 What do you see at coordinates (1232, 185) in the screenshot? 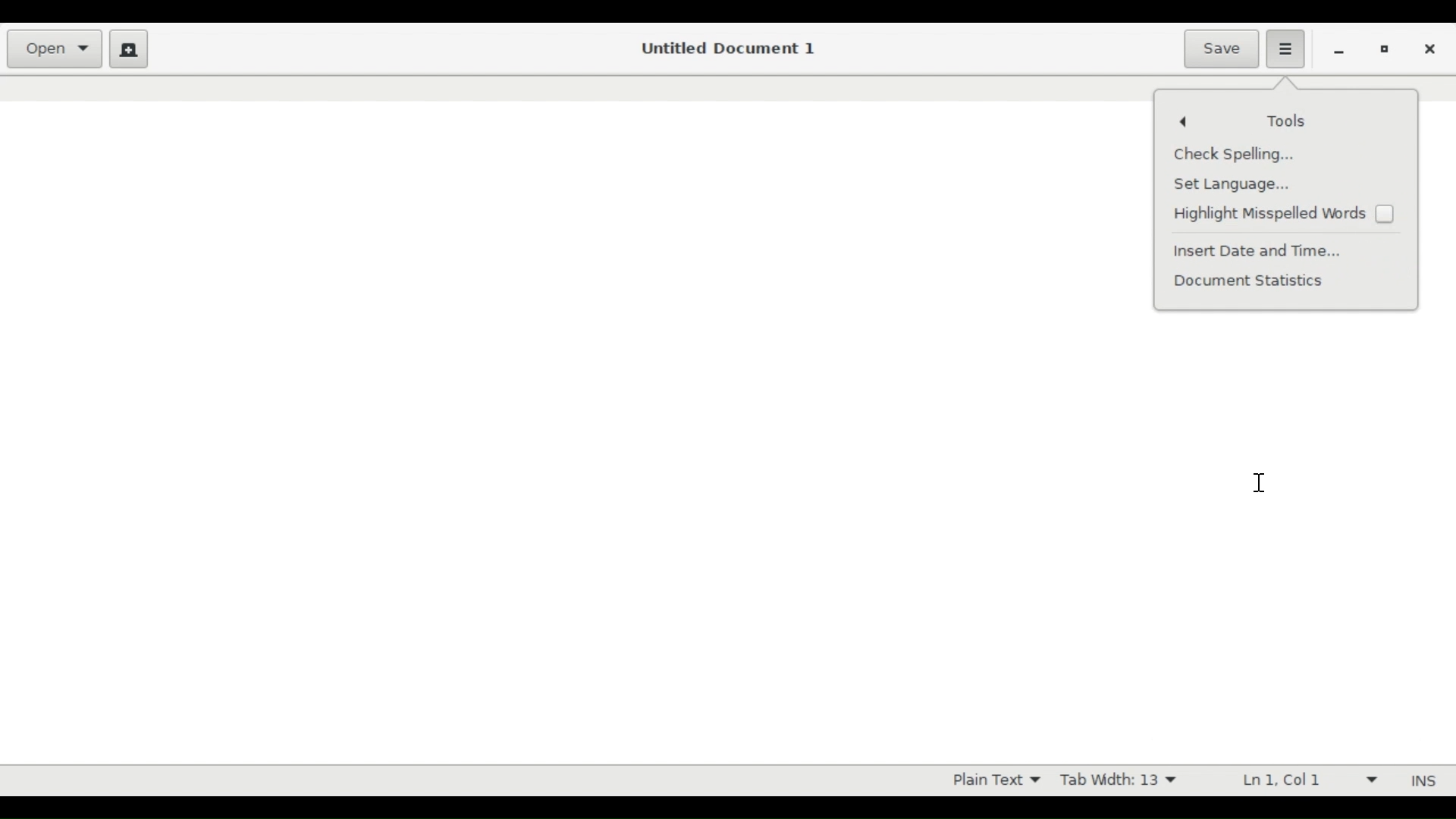
I see `Set language` at bounding box center [1232, 185].